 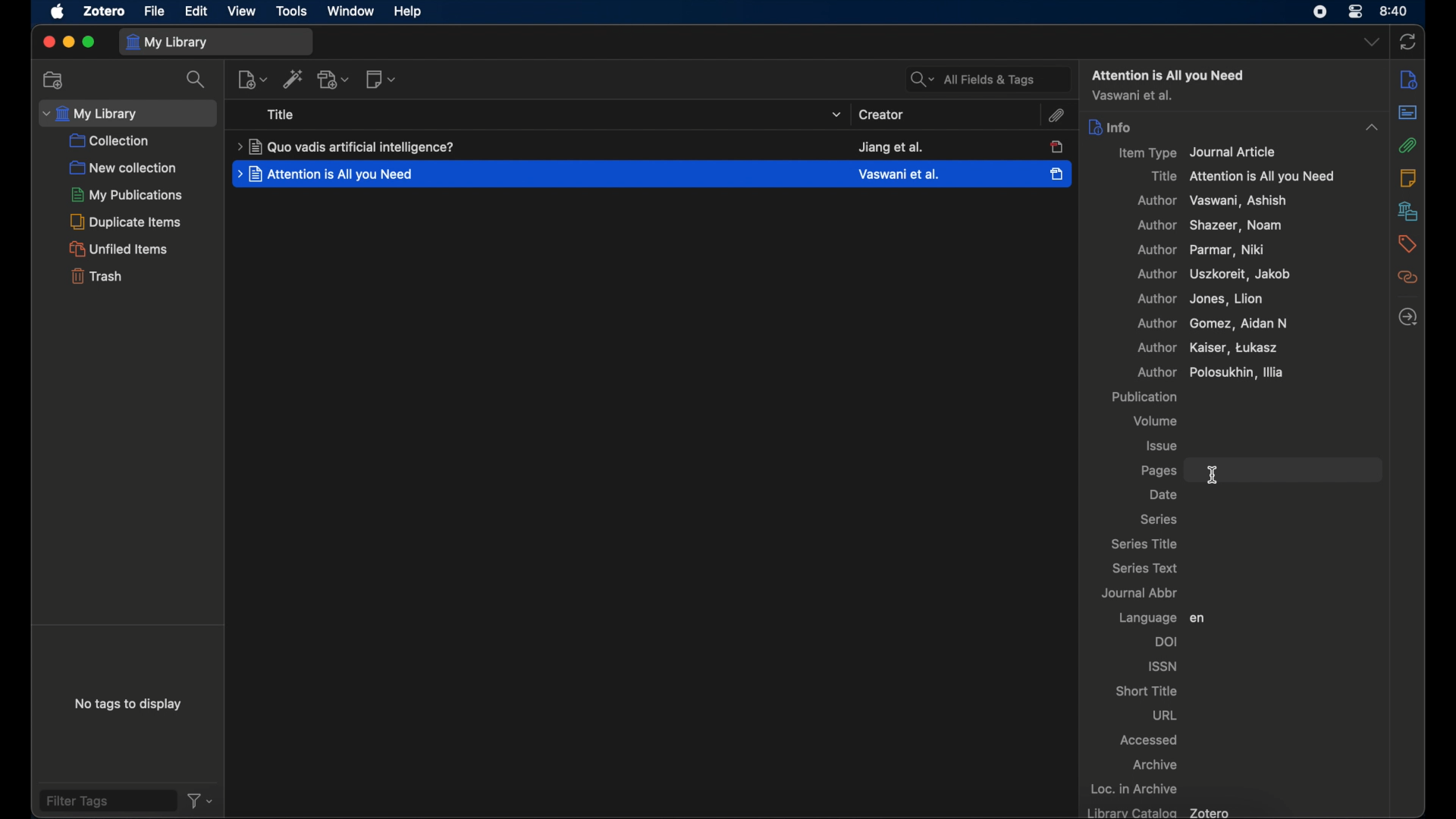 What do you see at coordinates (1370, 43) in the screenshot?
I see `dropdown menu` at bounding box center [1370, 43].